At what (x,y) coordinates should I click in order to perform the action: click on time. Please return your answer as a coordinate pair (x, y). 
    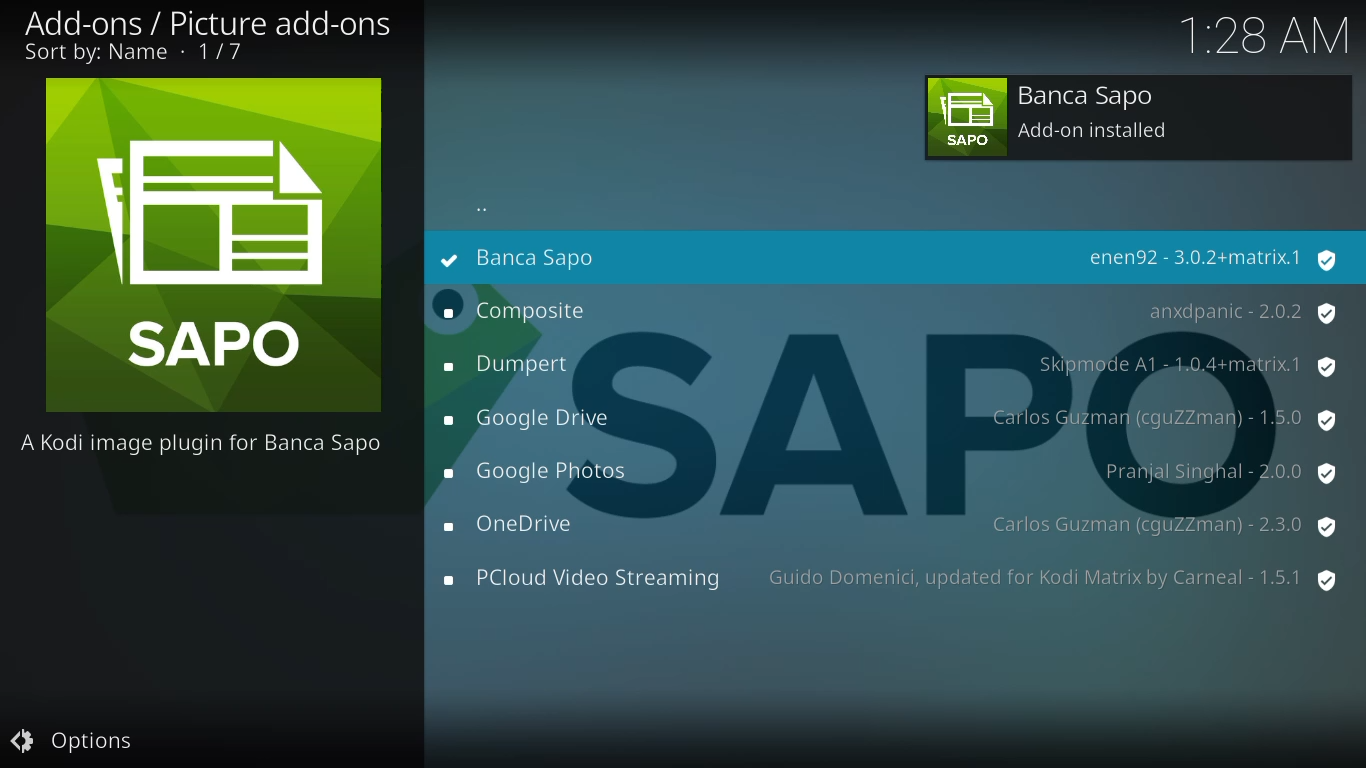
    Looking at the image, I should click on (1266, 35).